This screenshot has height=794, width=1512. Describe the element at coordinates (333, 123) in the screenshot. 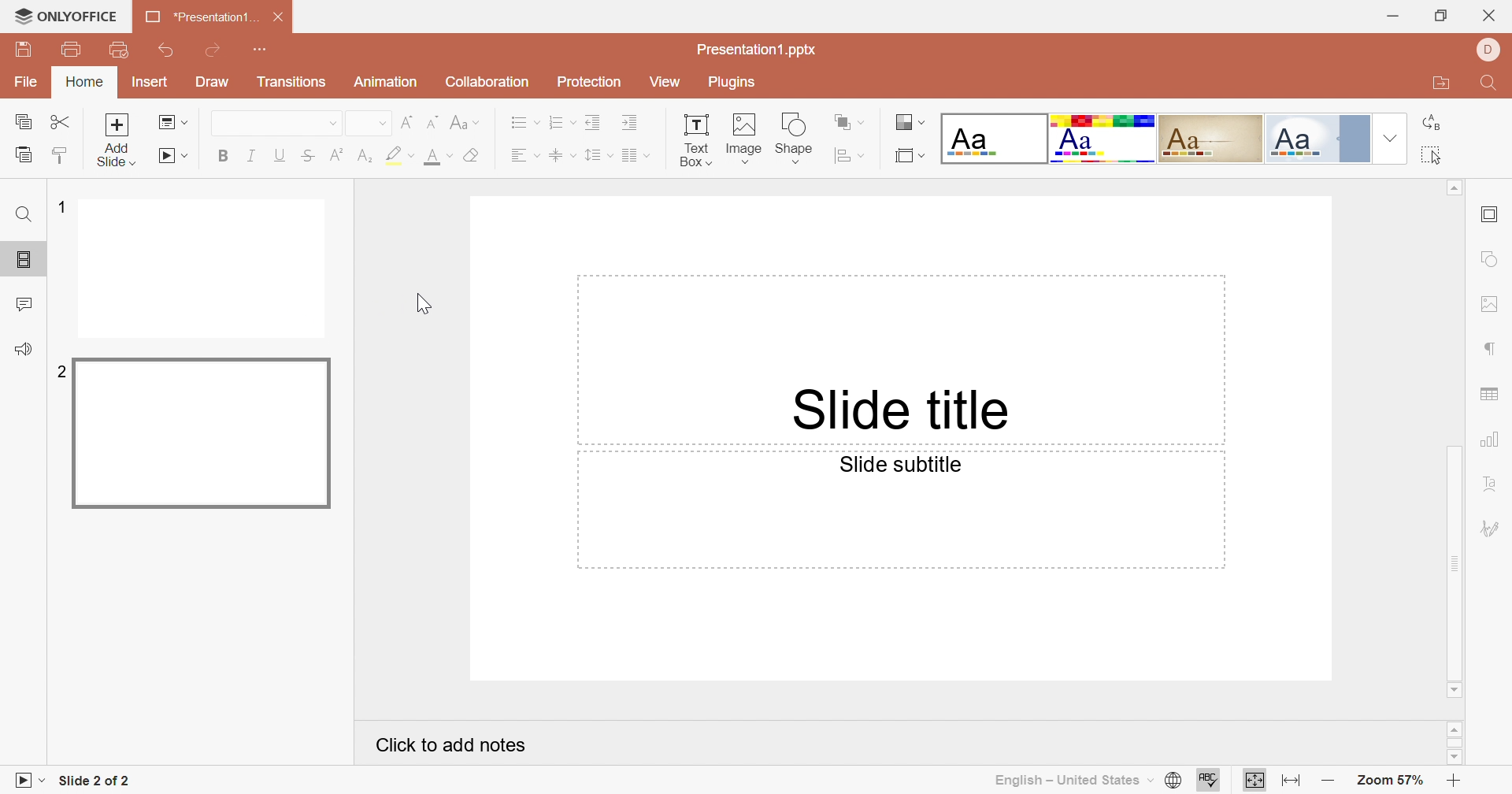

I see `Drop Down` at that location.